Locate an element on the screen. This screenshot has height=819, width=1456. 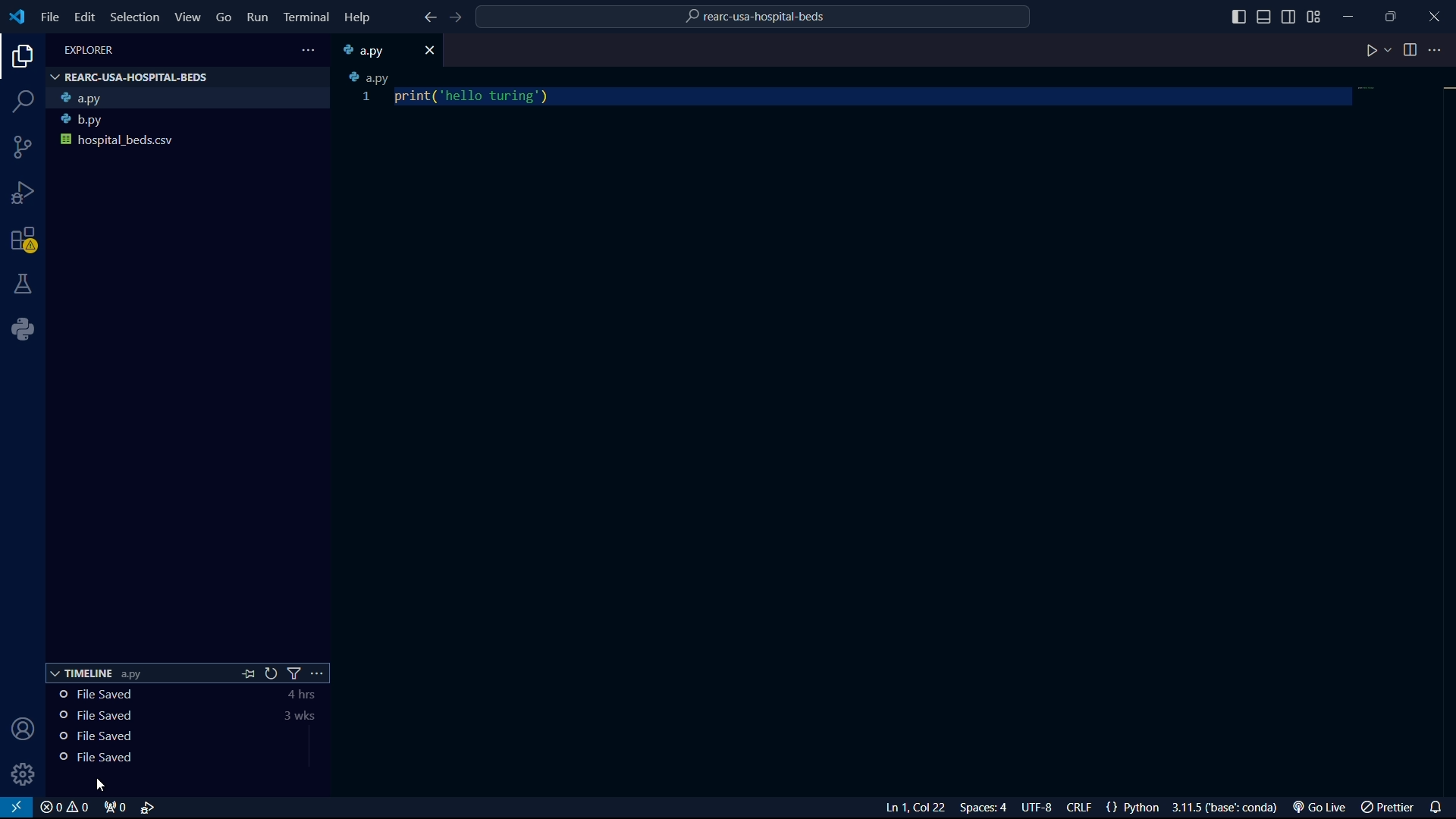
edit menu is located at coordinates (85, 17).